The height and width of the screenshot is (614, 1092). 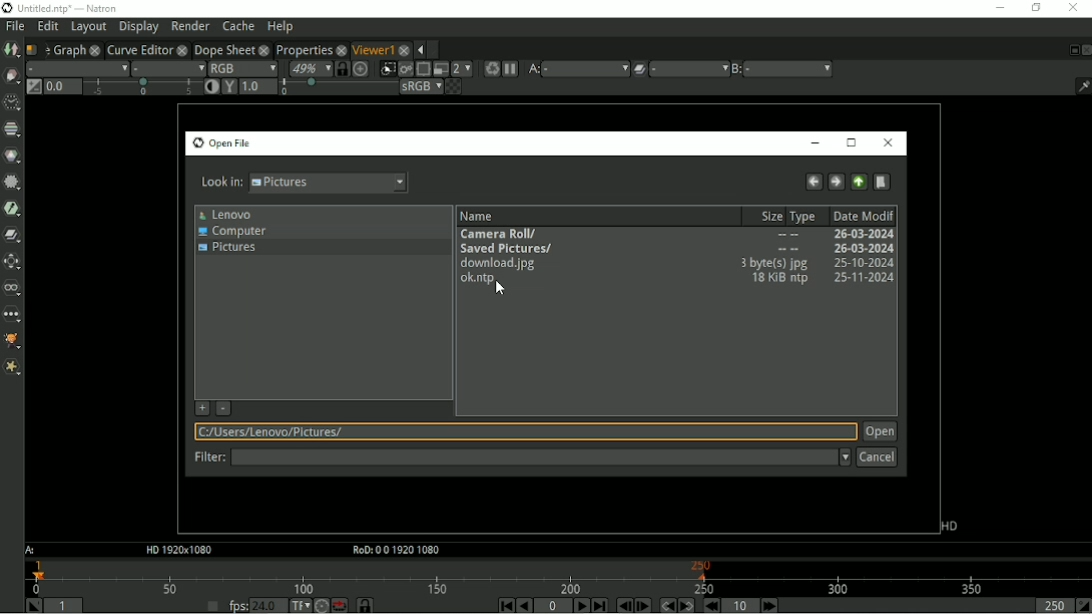 I want to click on Timeline, so click(x=558, y=576).